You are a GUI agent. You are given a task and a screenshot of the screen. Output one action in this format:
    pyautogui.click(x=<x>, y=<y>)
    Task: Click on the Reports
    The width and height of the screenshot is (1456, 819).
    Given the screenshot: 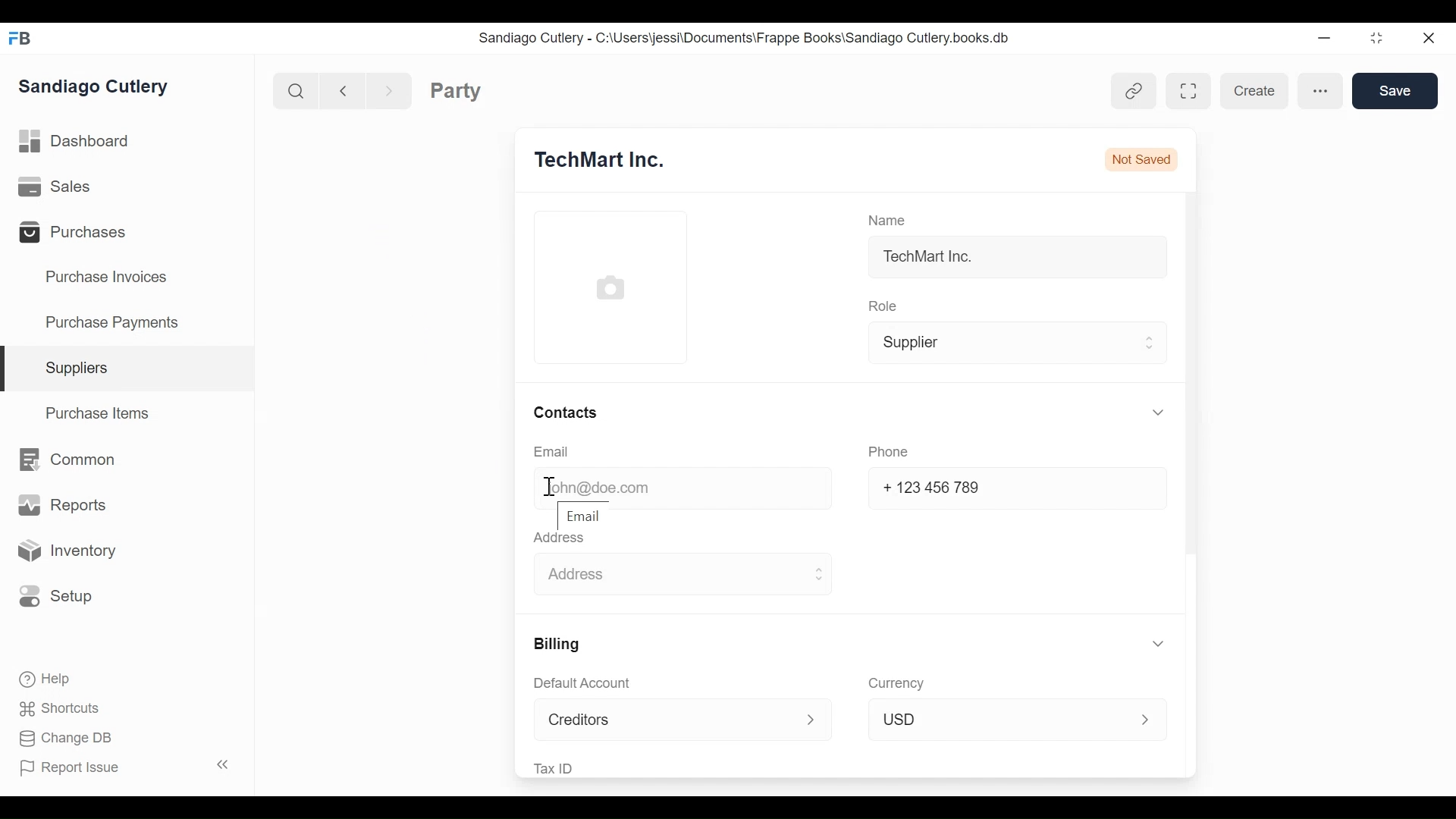 What is the action you would take?
    pyautogui.click(x=60, y=504)
    